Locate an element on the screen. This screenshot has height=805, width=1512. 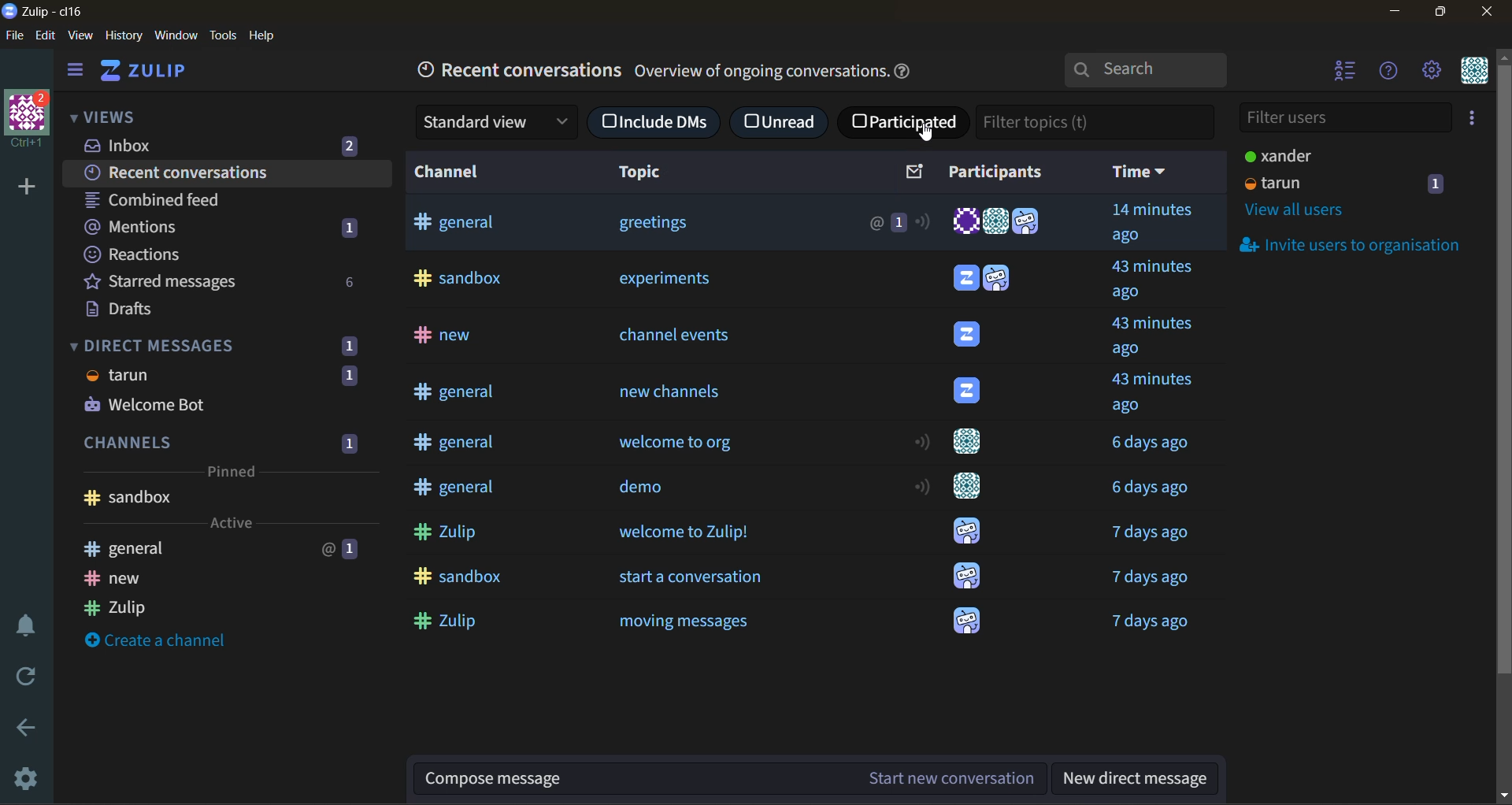
minimize is located at coordinates (1403, 15).